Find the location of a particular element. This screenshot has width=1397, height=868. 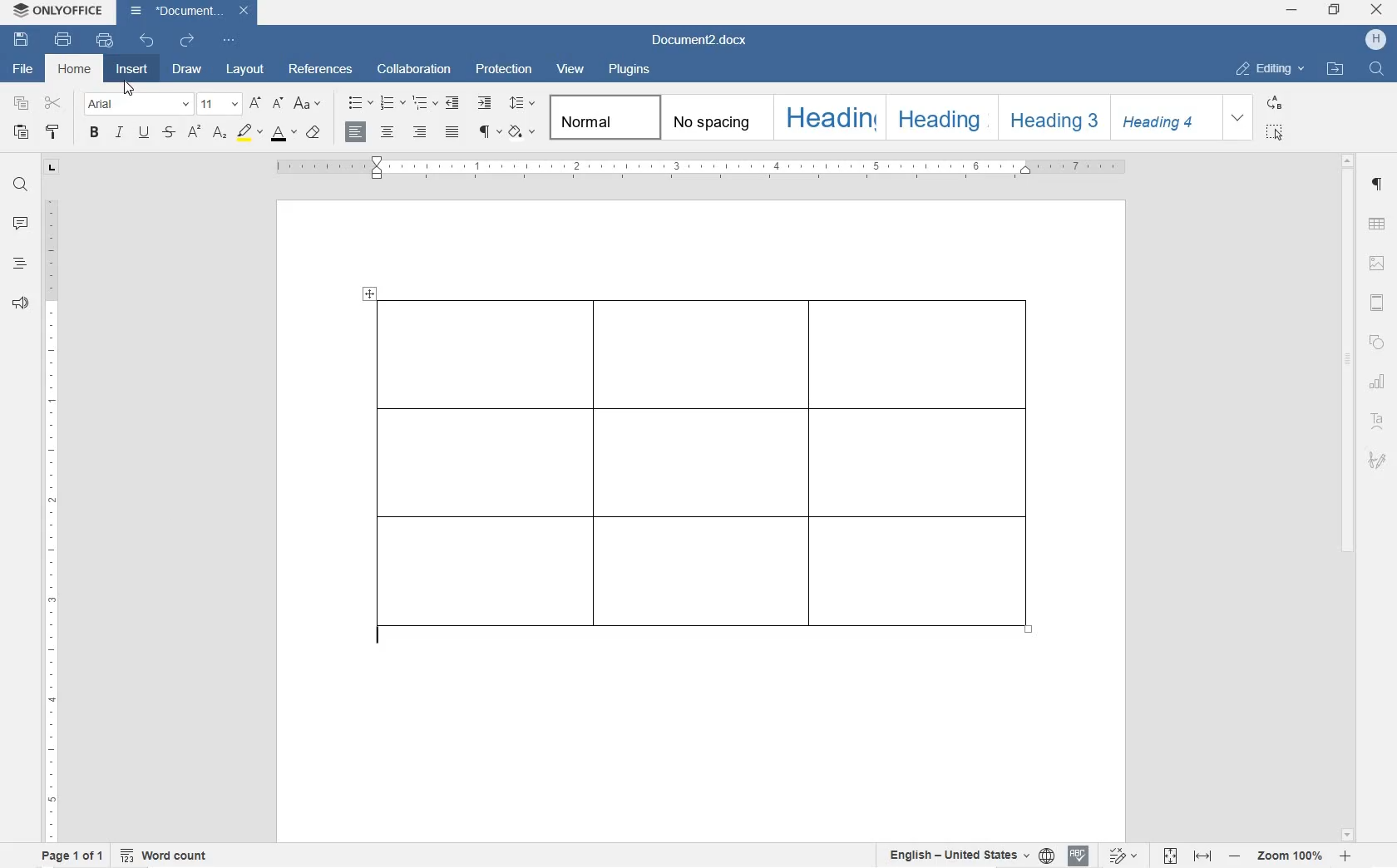

decrement font size is located at coordinates (277, 102).